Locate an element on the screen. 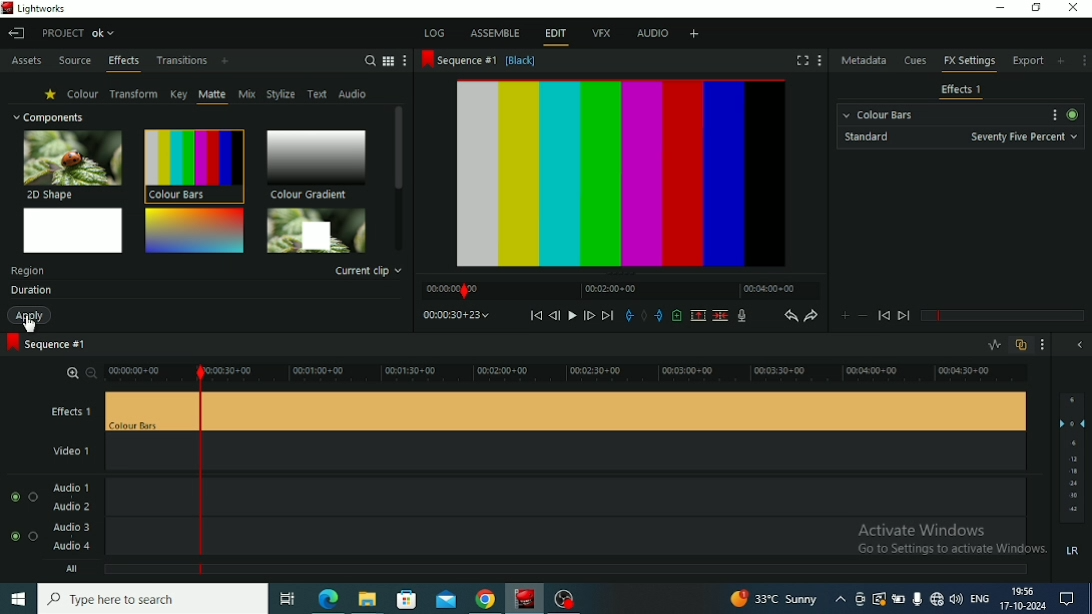 This screenshot has height=614, width=1092. Audio 1  and 2 is located at coordinates (89, 496).